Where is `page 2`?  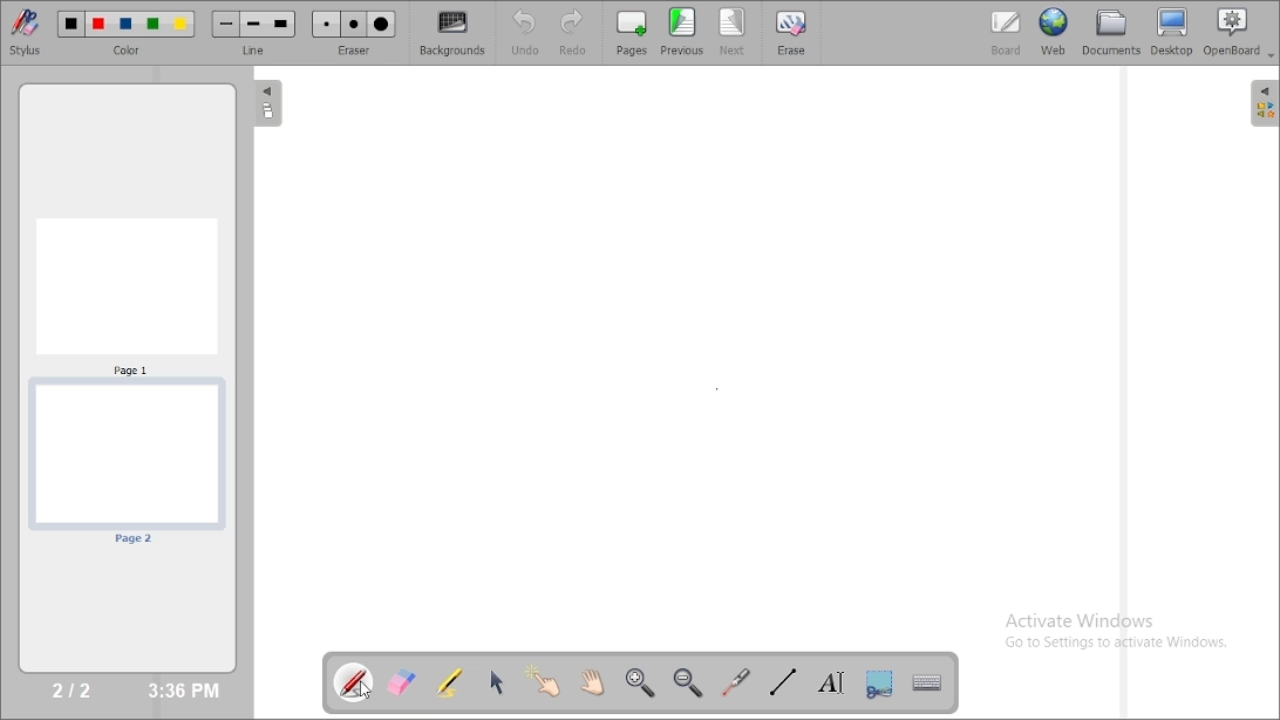
page 2 is located at coordinates (126, 464).